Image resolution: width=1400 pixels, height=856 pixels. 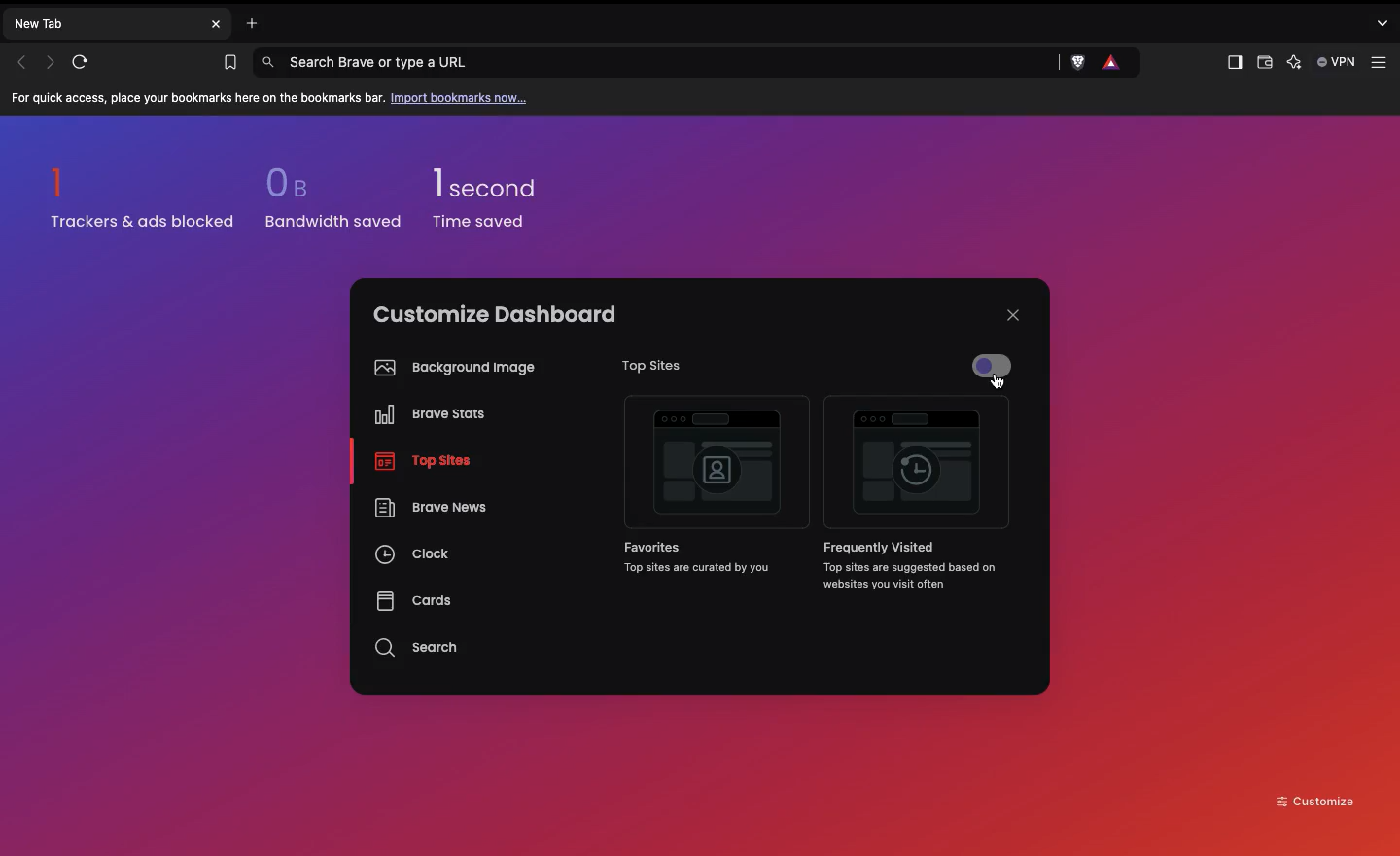 I want to click on Customize dashboard, so click(x=495, y=314).